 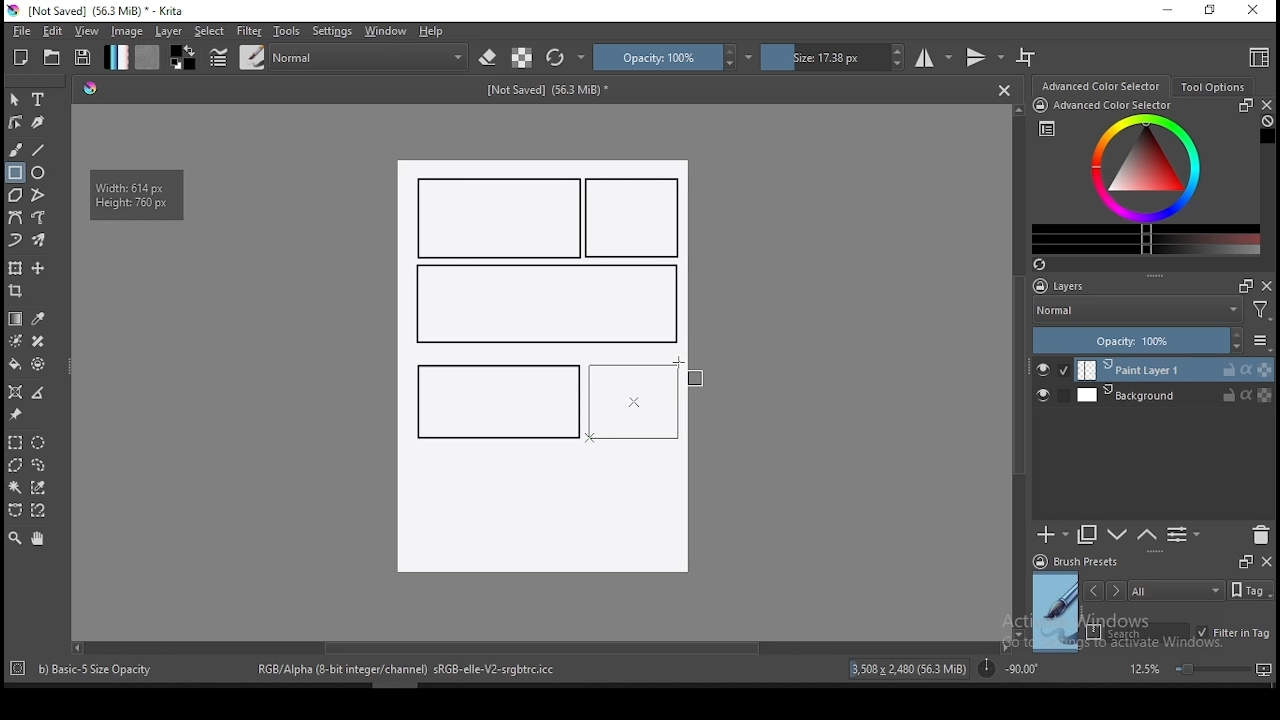 I want to click on similar color selection tool, so click(x=41, y=487).